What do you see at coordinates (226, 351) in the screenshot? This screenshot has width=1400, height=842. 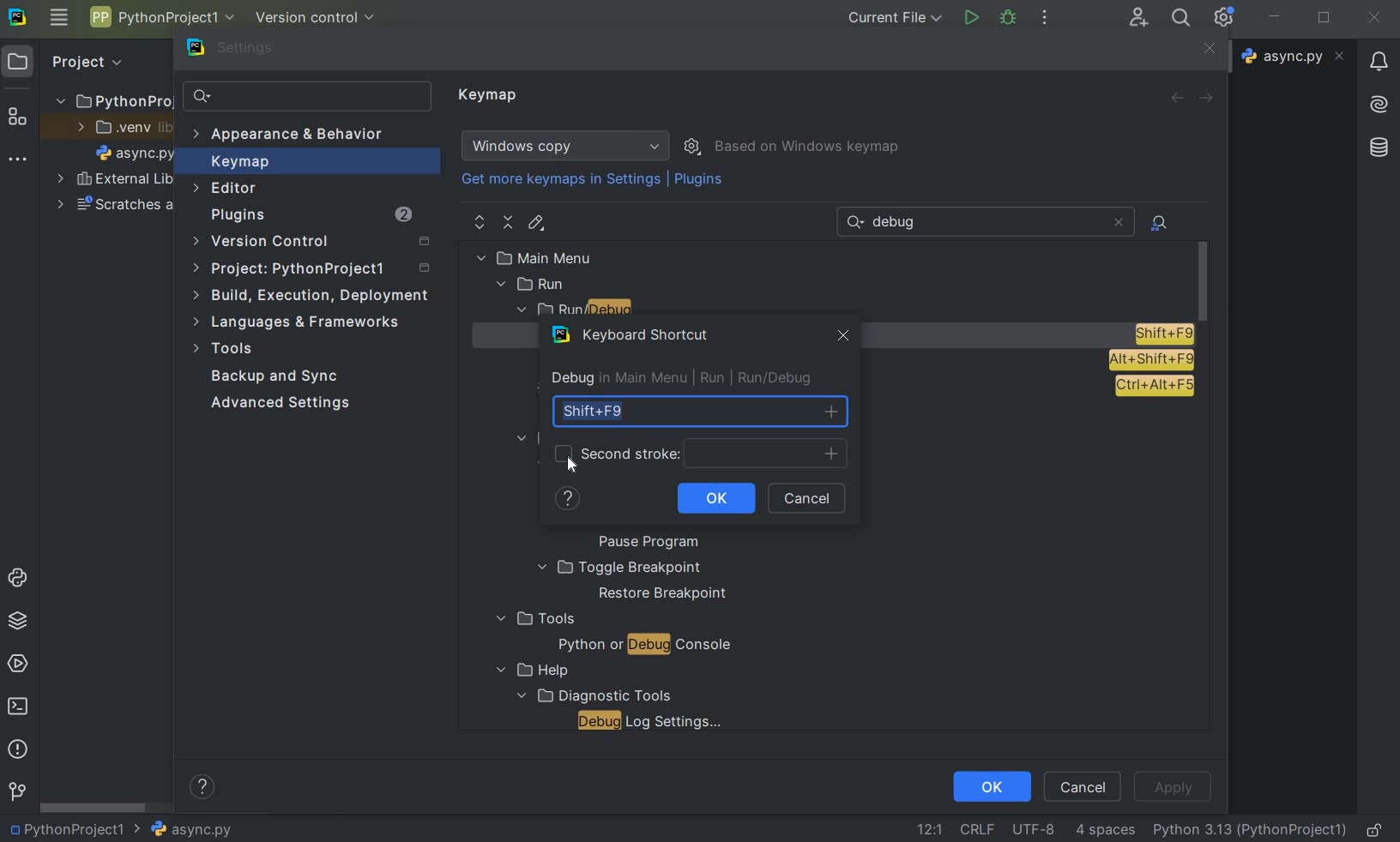 I see `tools` at bounding box center [226, 351].